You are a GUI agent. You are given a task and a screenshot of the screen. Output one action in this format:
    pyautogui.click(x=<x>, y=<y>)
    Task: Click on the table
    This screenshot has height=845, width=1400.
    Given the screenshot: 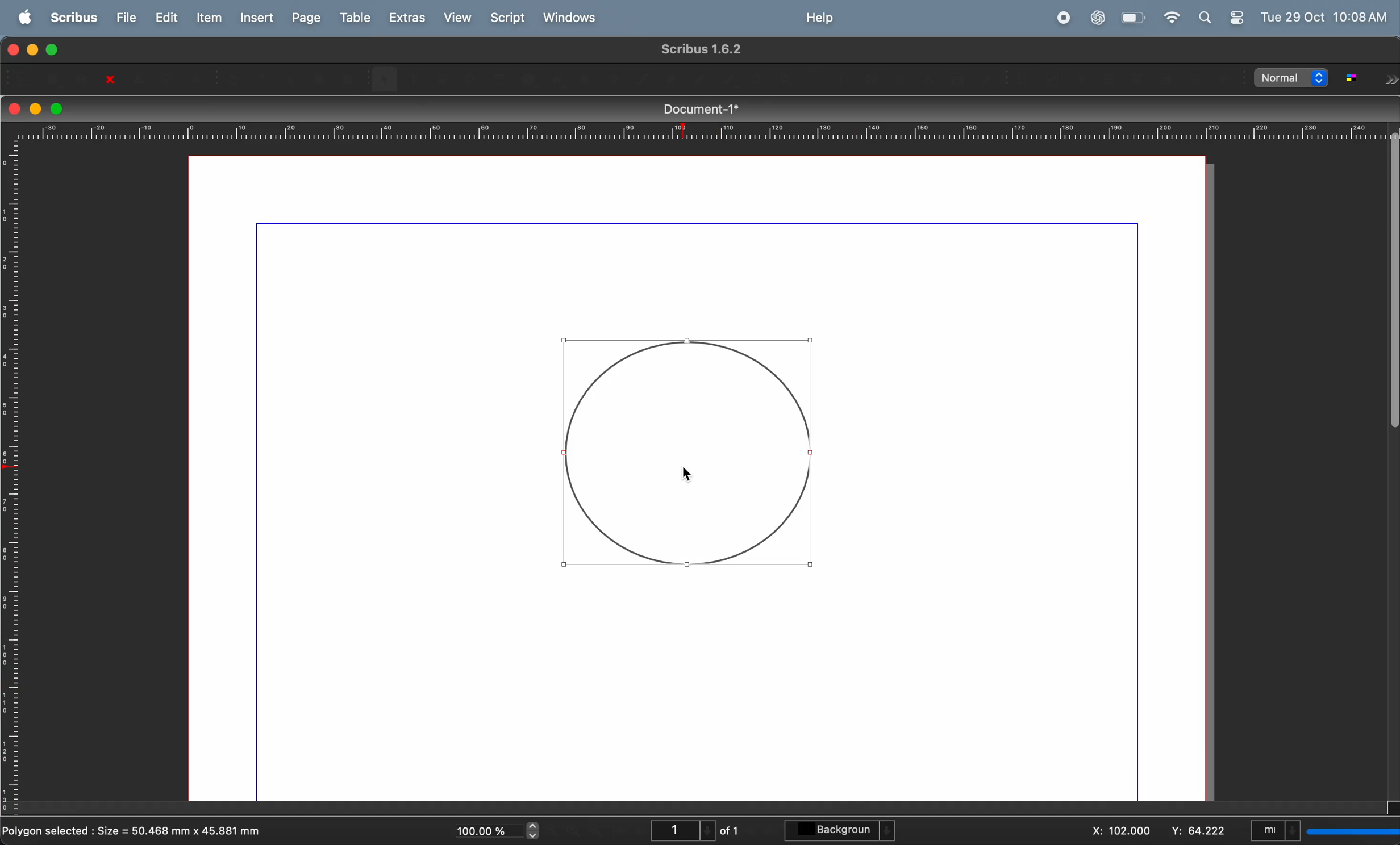 What is the action you would take?
    pyautogui.click(x=353, y=17)
    